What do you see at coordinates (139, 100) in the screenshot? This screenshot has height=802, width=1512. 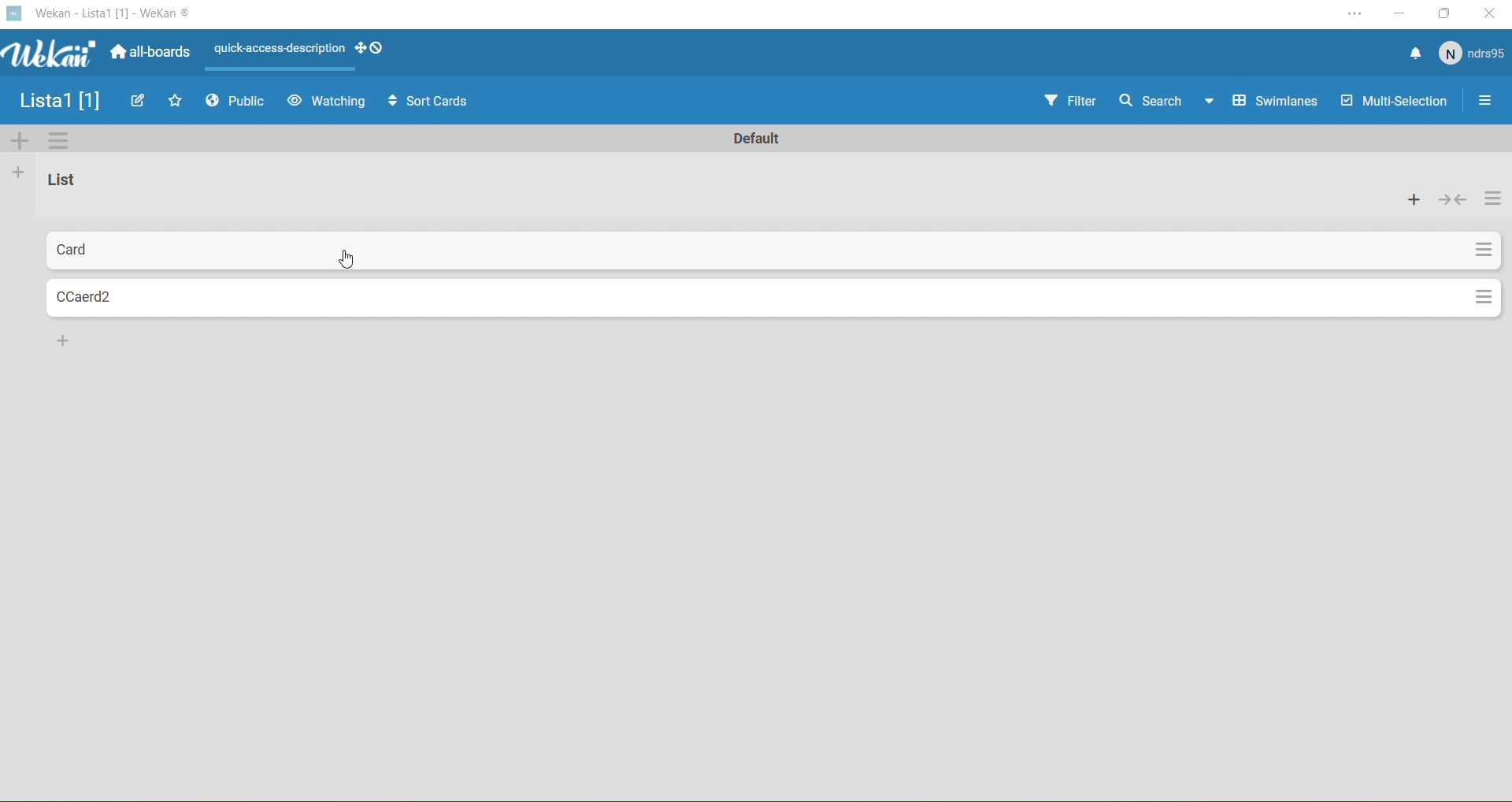 I see `Edit` at bounding box center [139, 100].